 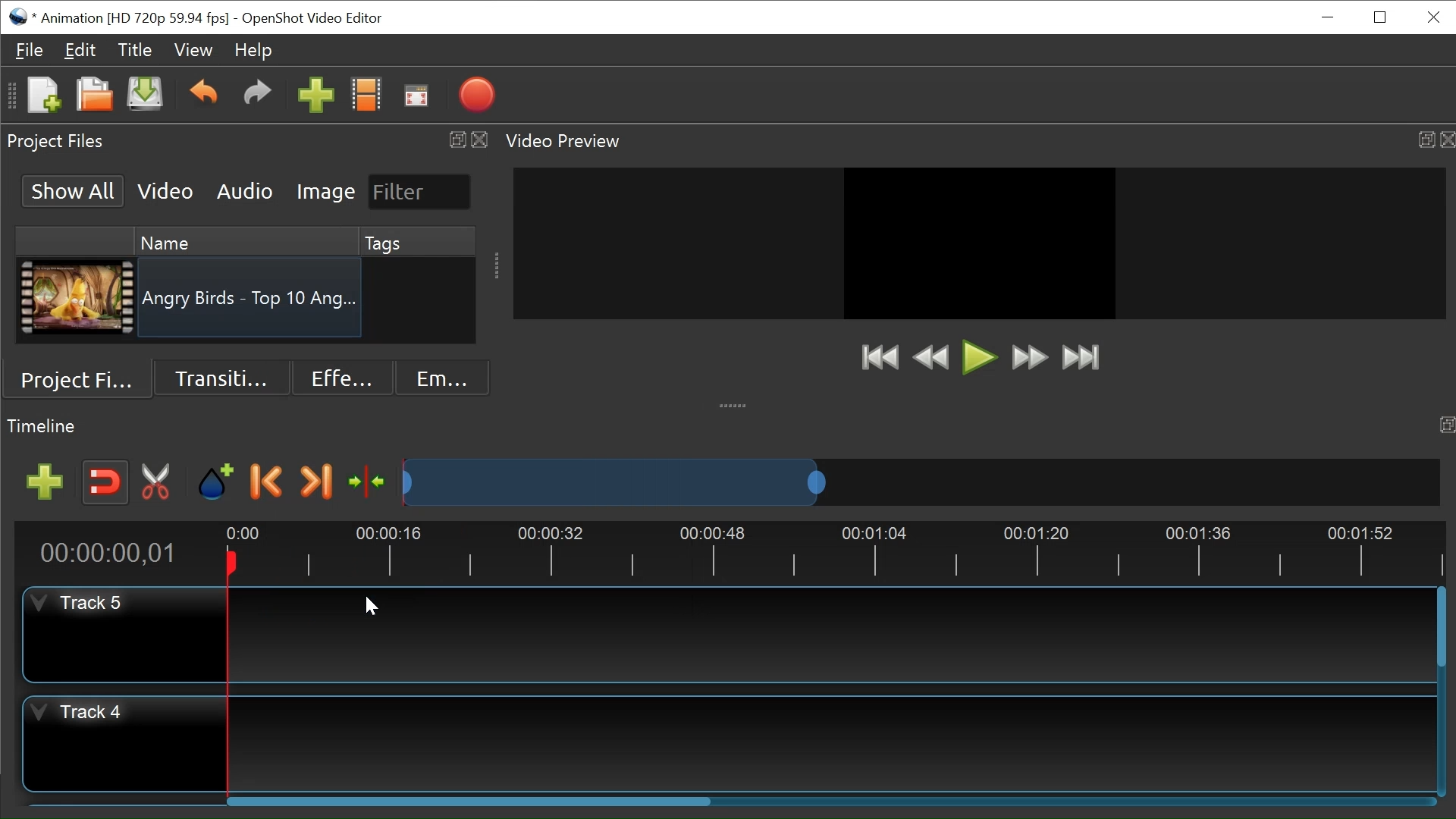 I want to click on Add Track, so click(x=45, y=482).